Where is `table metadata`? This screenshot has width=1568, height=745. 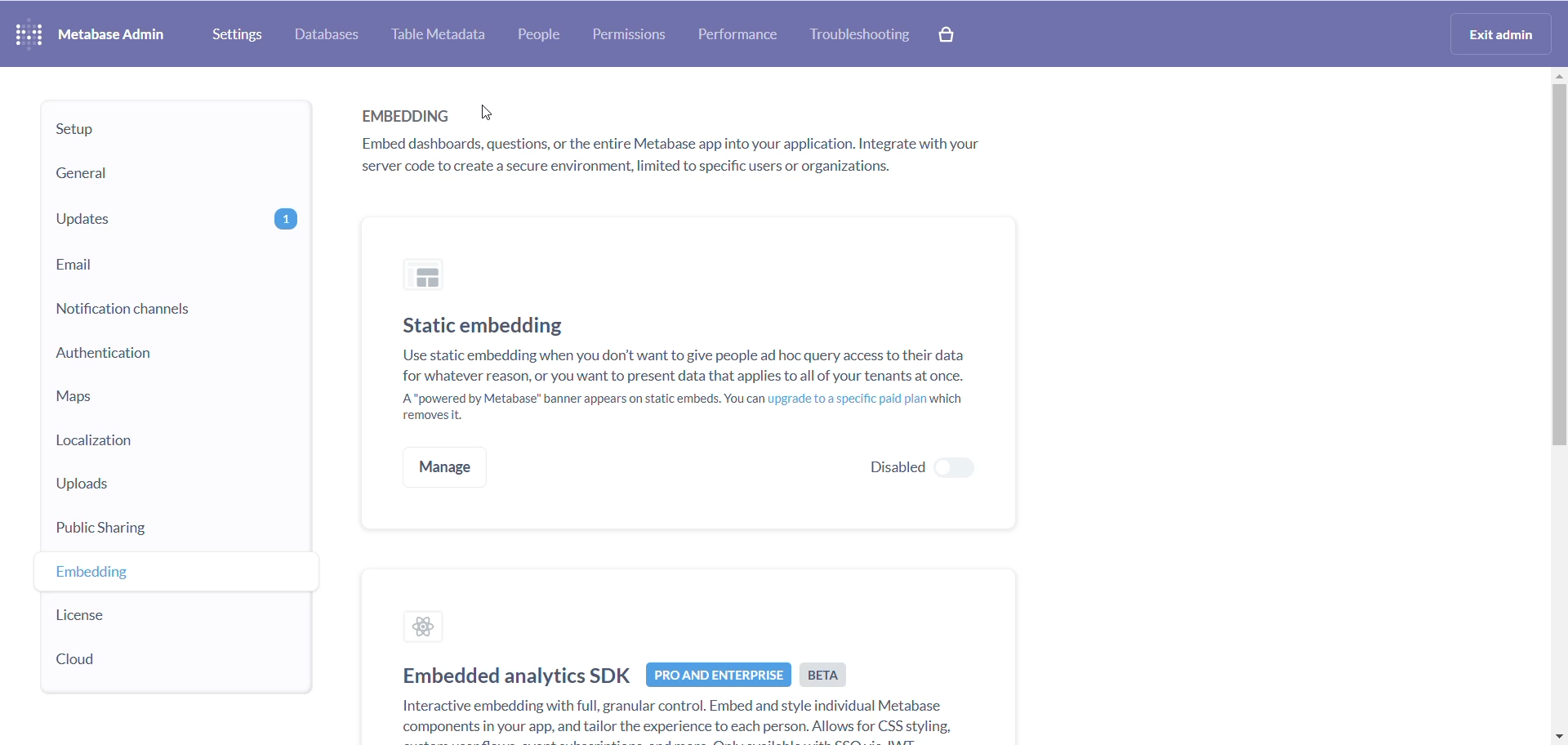
table metadata is located at coordinates (434, 33).